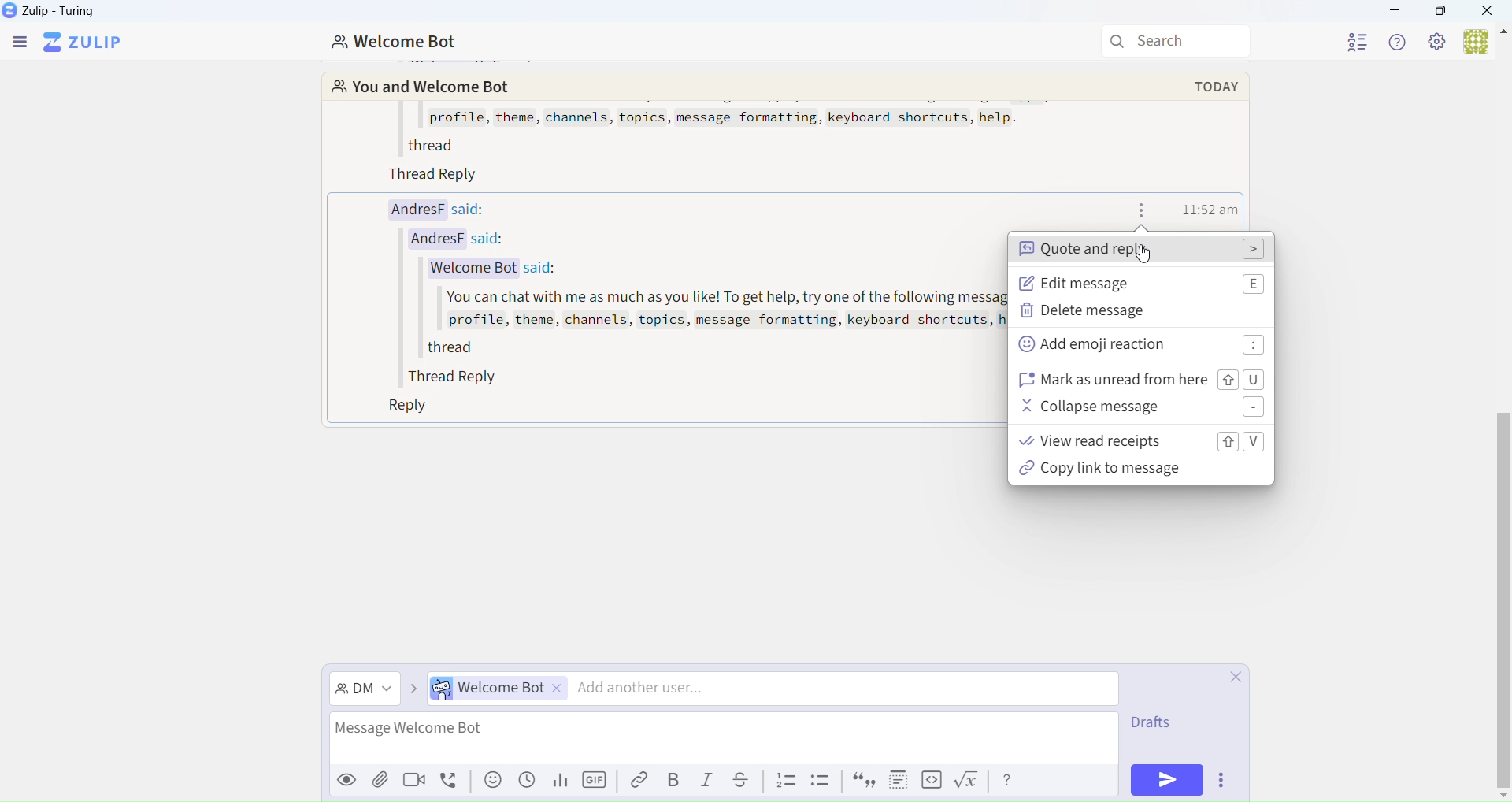 This screenshot has width=1512, height=802. I want to click on videocall, so click(417, 784).